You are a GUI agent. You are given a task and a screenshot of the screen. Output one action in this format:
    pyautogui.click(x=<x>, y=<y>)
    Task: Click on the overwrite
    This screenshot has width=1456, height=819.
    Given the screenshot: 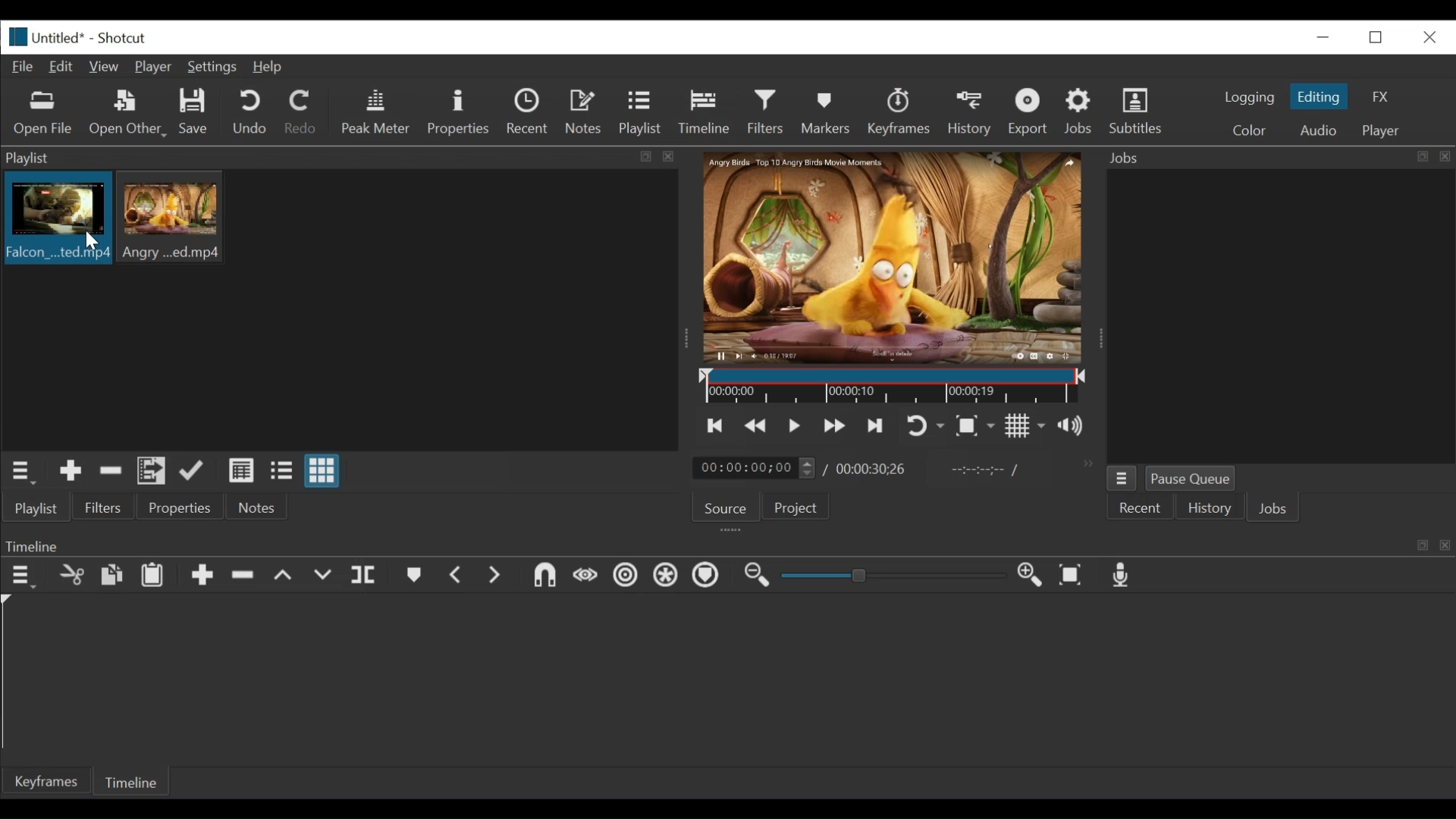 What is the action you would take?
    pyautogui.click(x=325, y=576)
    